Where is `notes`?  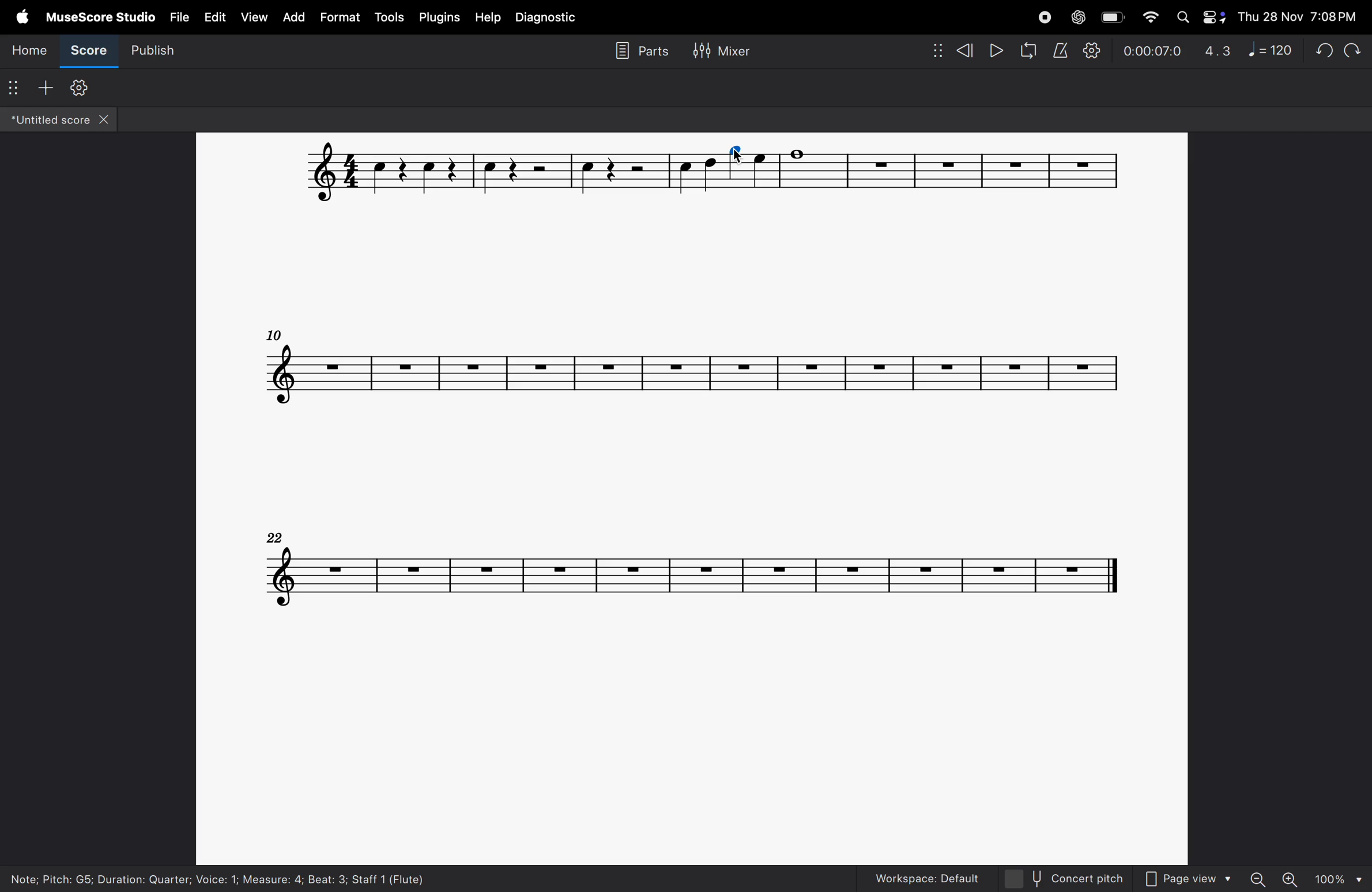 notes is located at coordinates (695, 572).